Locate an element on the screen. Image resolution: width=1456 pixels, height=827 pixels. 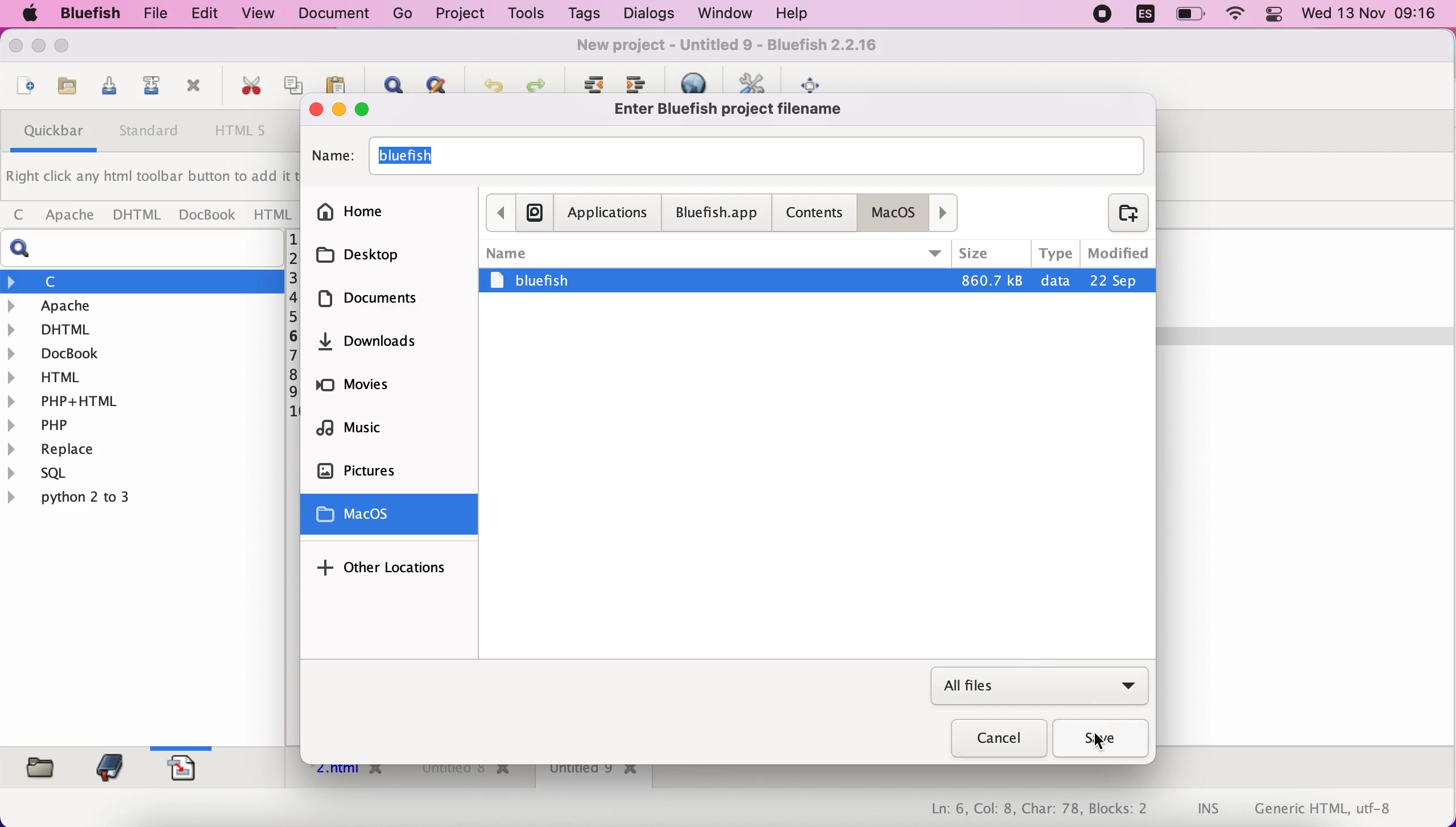
macos is located at coordinates (393, 516).